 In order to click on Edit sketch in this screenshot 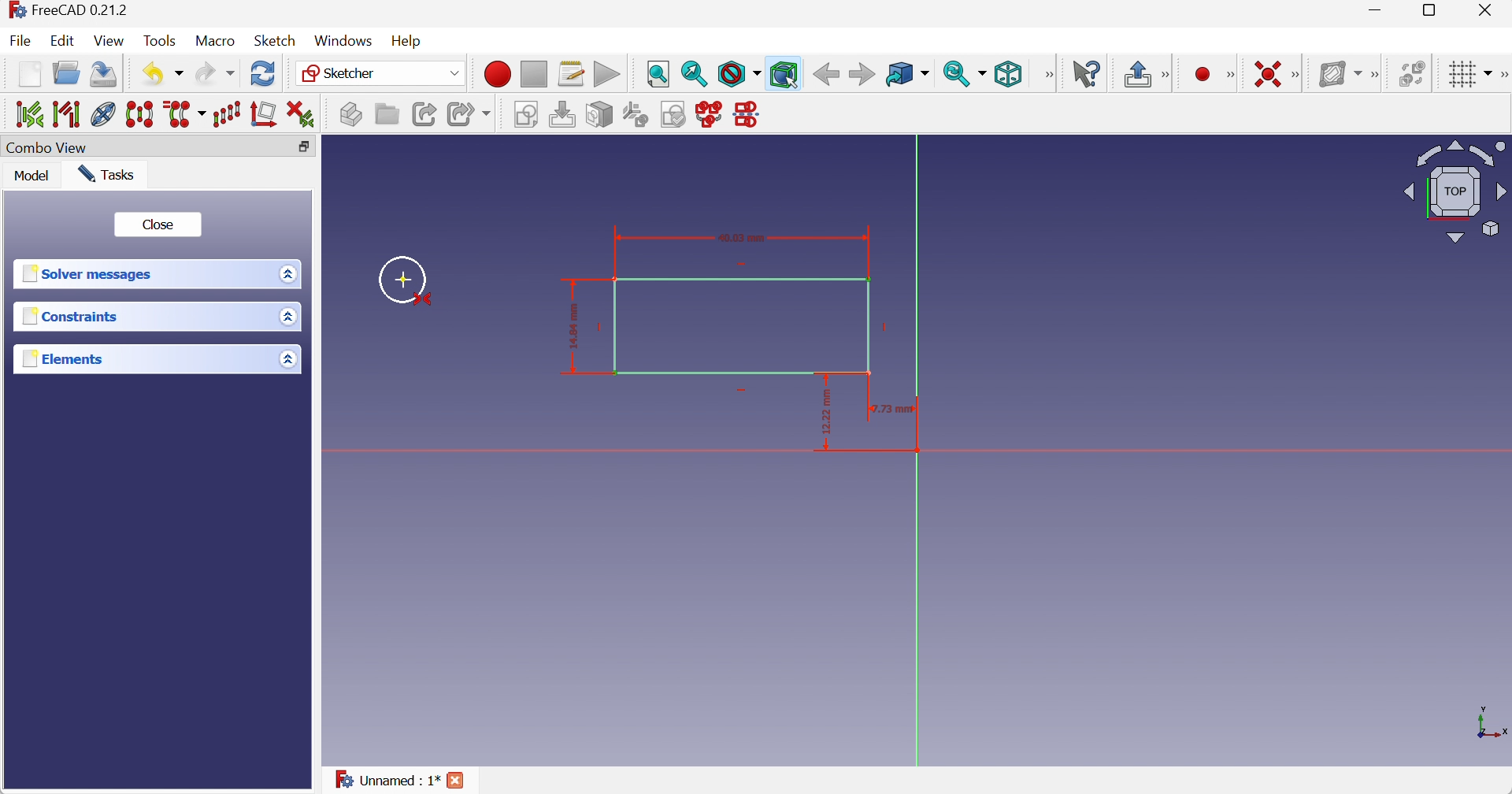, I will do `click(565, 115)`.